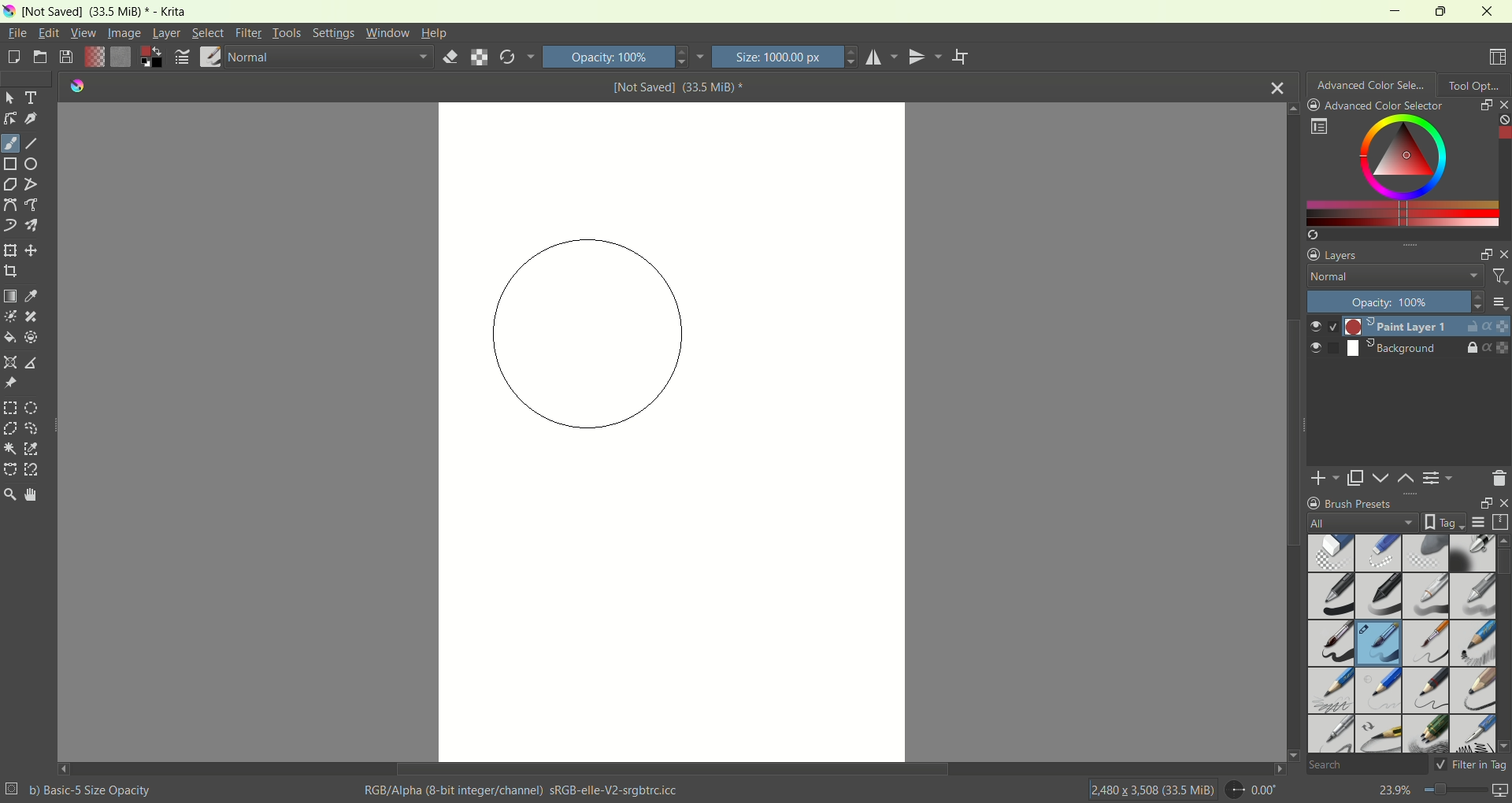 The image size is (1512, 803). I want to click on pan, so click(29, 494).